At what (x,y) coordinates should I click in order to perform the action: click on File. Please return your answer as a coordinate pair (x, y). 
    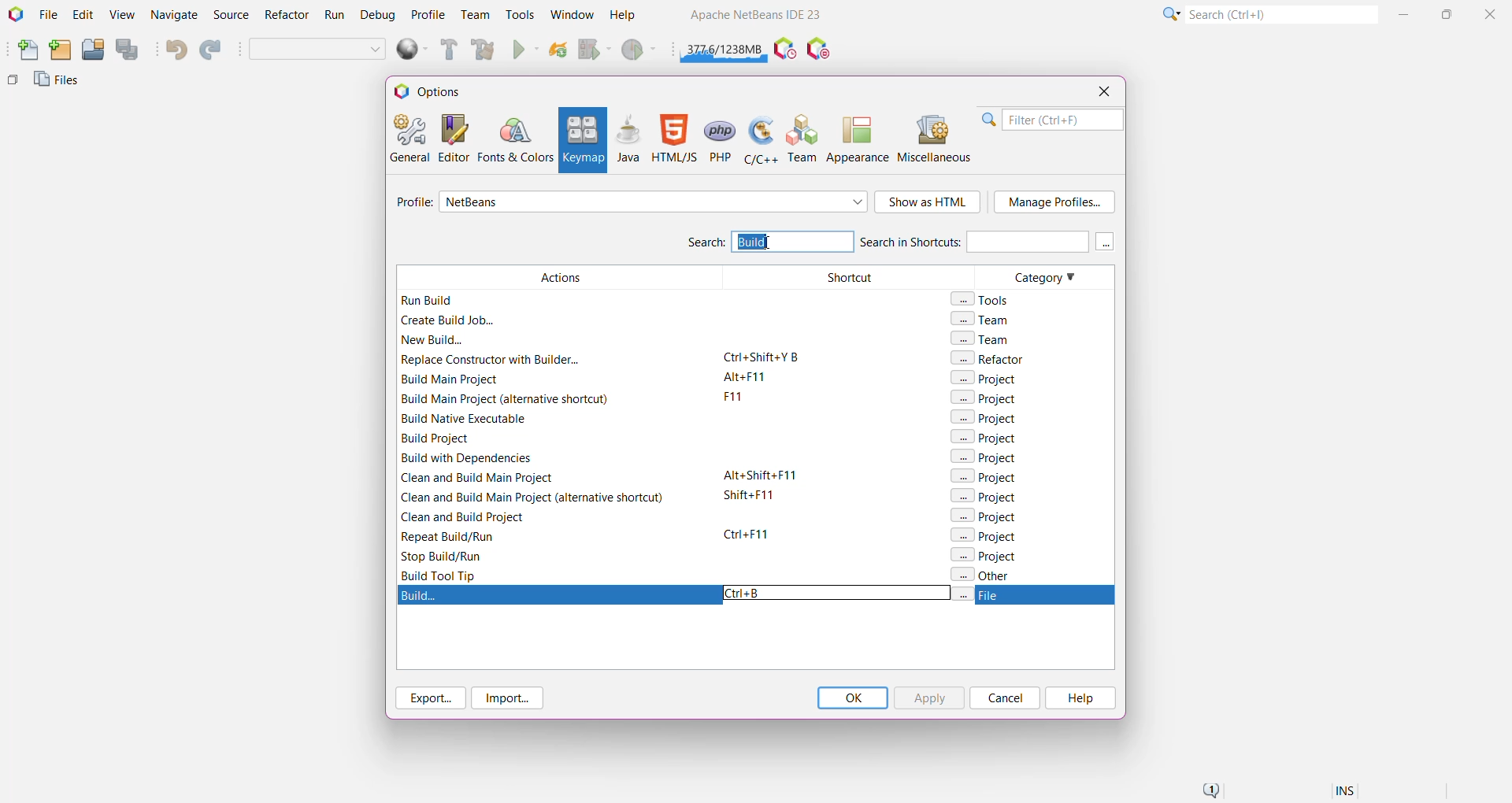
    Looking at the image, I should click on (48, 15).